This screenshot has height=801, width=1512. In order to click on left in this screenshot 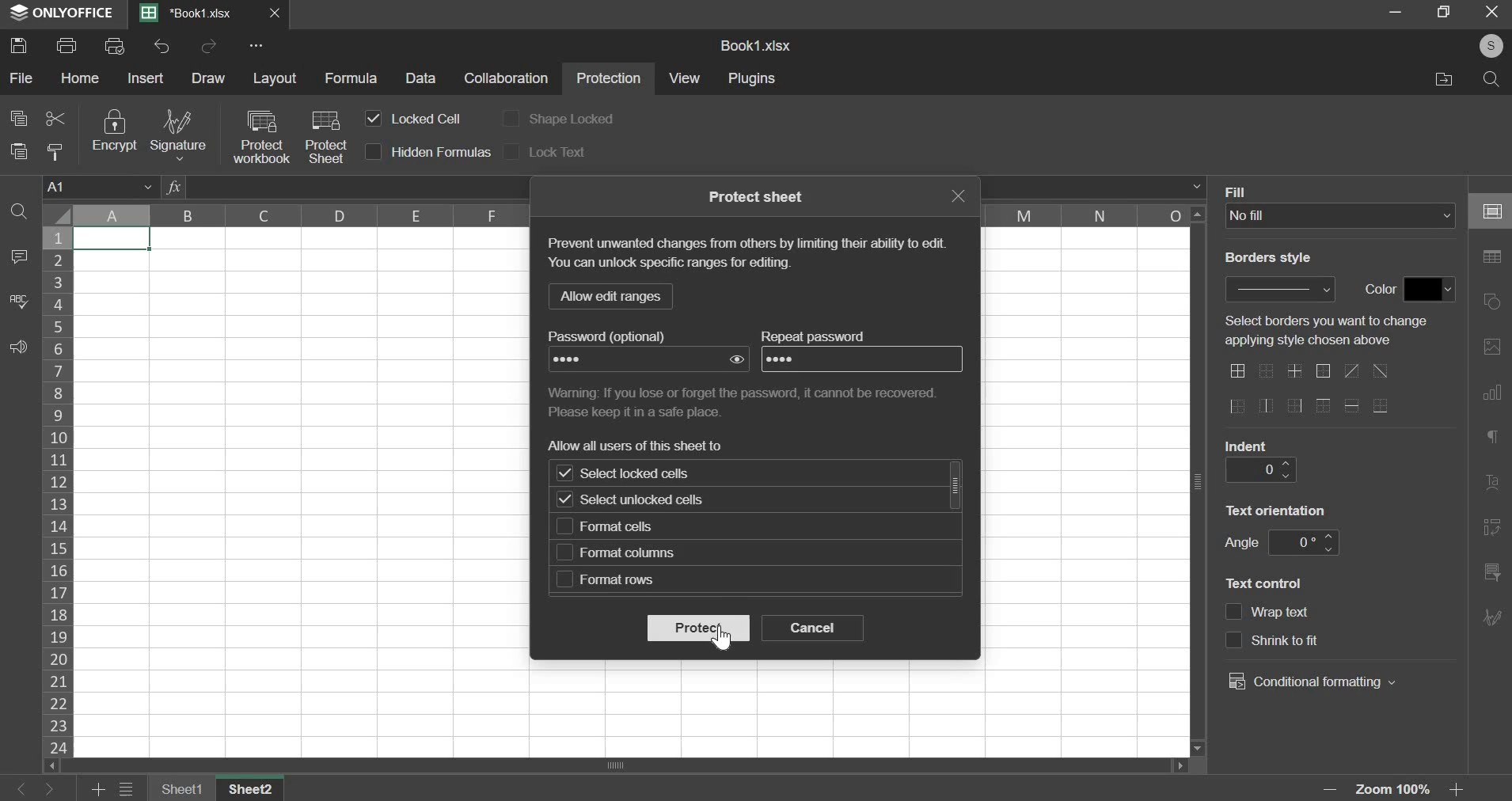, I will do `click(24, 790)`.